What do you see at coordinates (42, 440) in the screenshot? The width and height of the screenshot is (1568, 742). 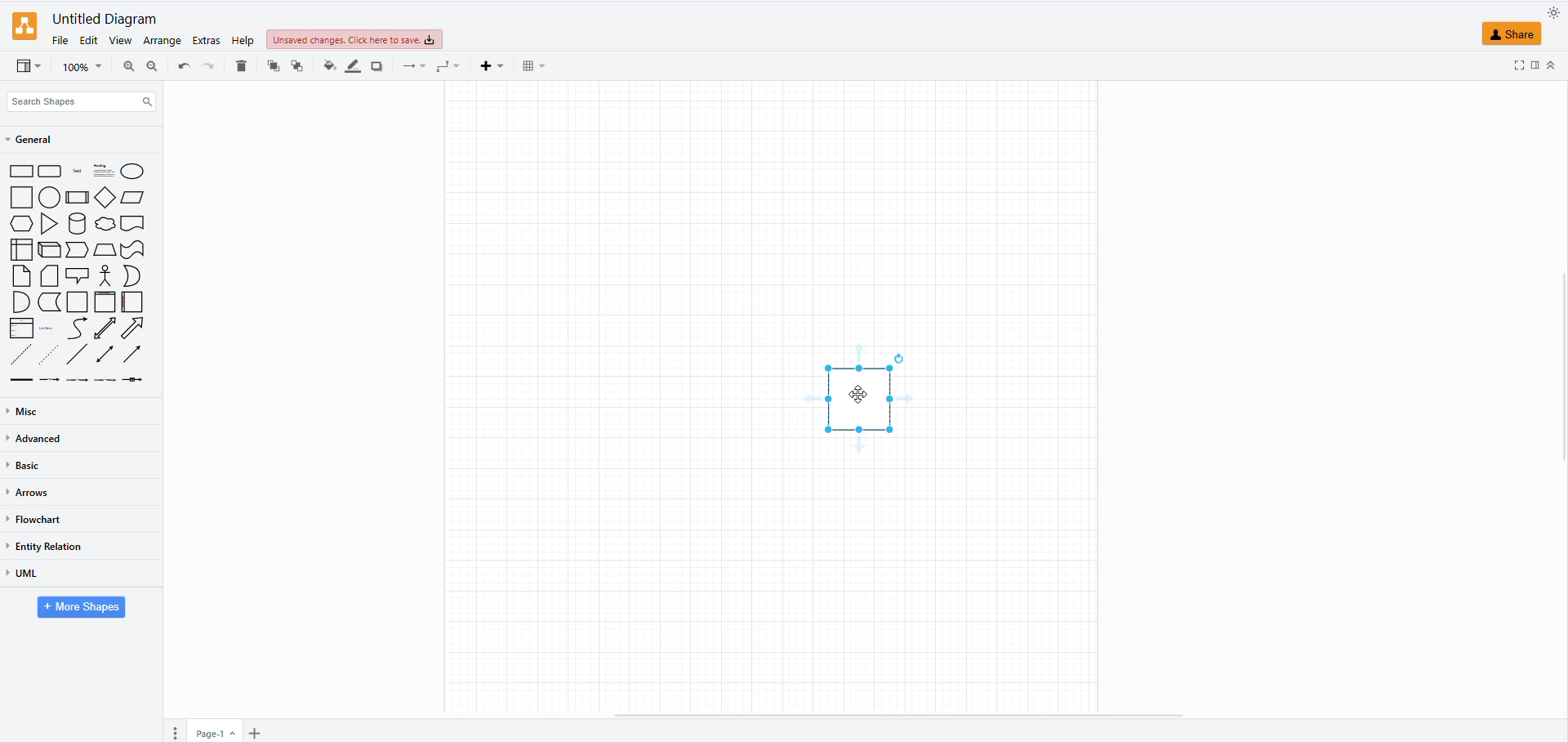 I see `advanced` at bounding box center [42, 440].